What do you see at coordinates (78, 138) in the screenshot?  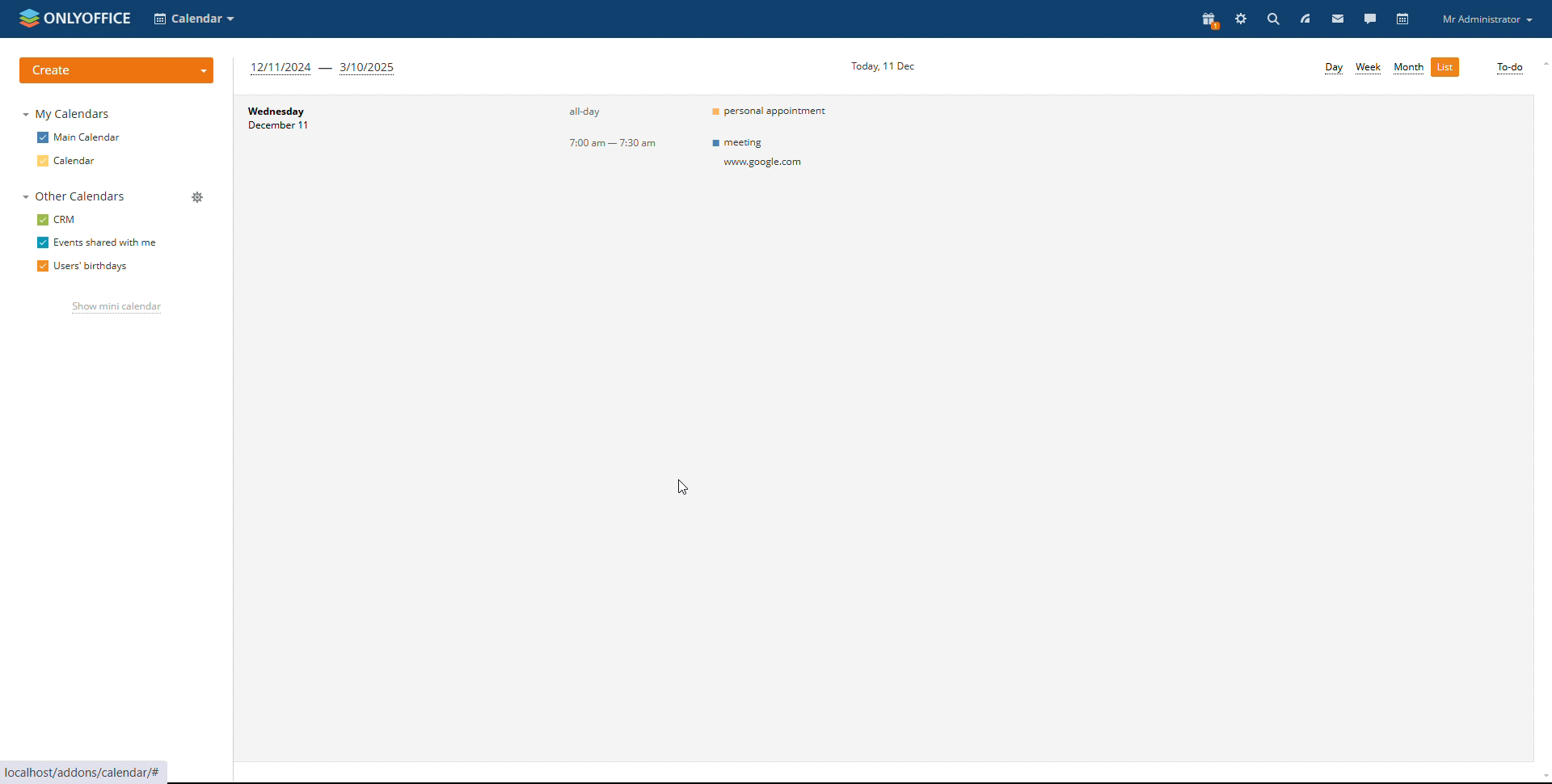 I see `main calendar` at bounding box center [78, 138].